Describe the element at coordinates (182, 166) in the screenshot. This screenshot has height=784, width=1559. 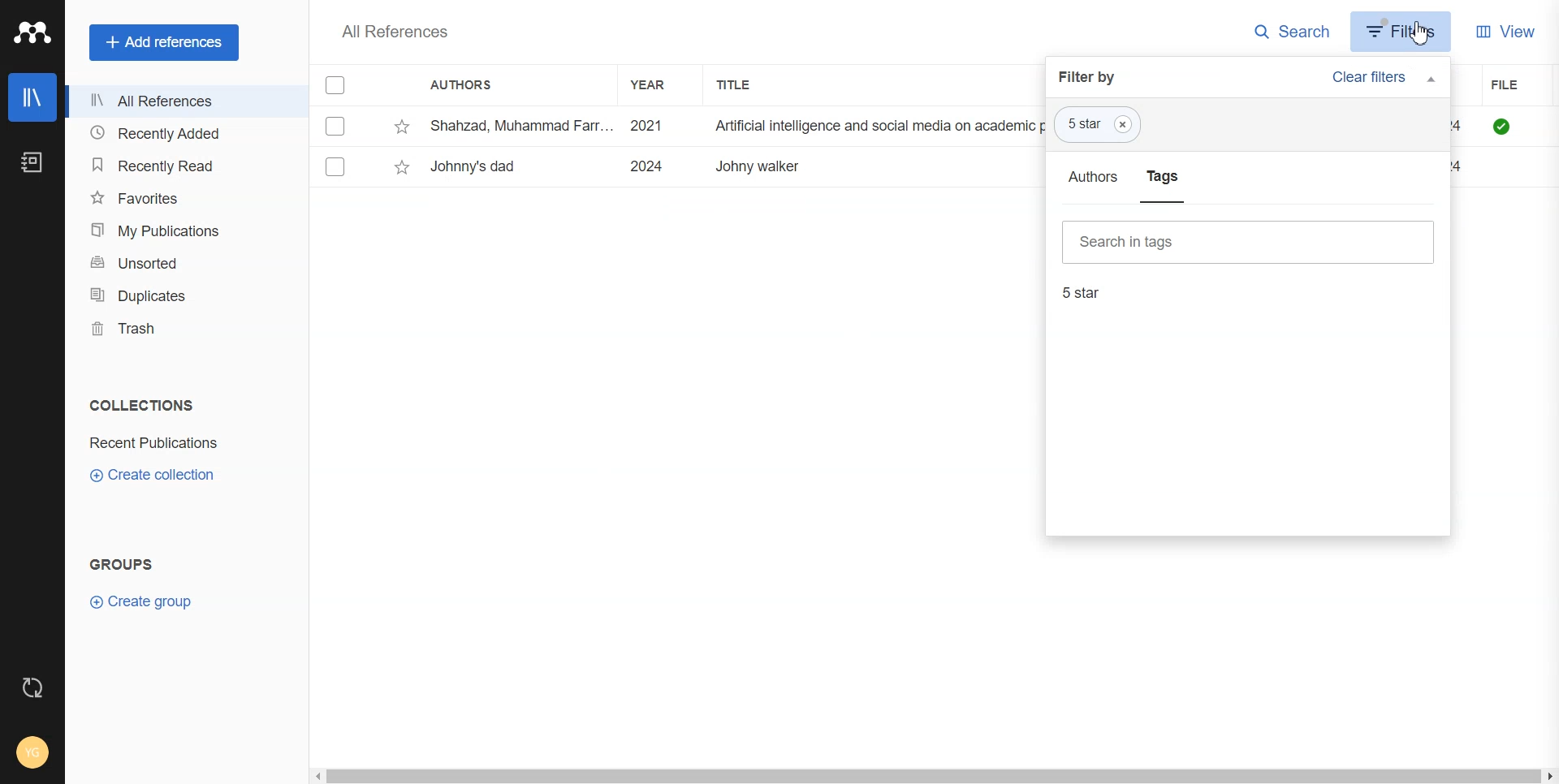
I see `Recently Read` at that location.